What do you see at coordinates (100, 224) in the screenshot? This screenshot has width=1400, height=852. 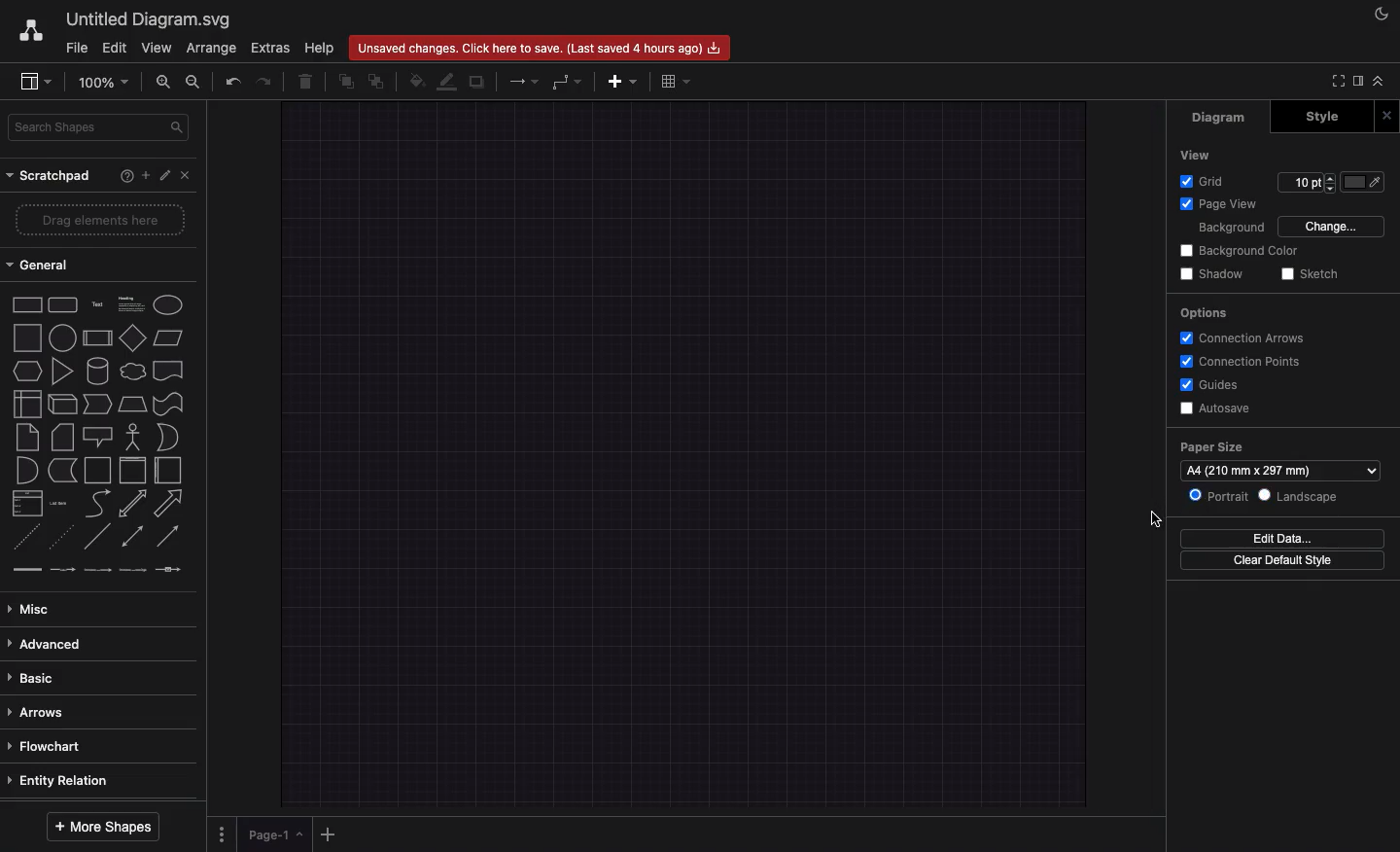 I see `Drag elements` at bounding box center [100, 224].